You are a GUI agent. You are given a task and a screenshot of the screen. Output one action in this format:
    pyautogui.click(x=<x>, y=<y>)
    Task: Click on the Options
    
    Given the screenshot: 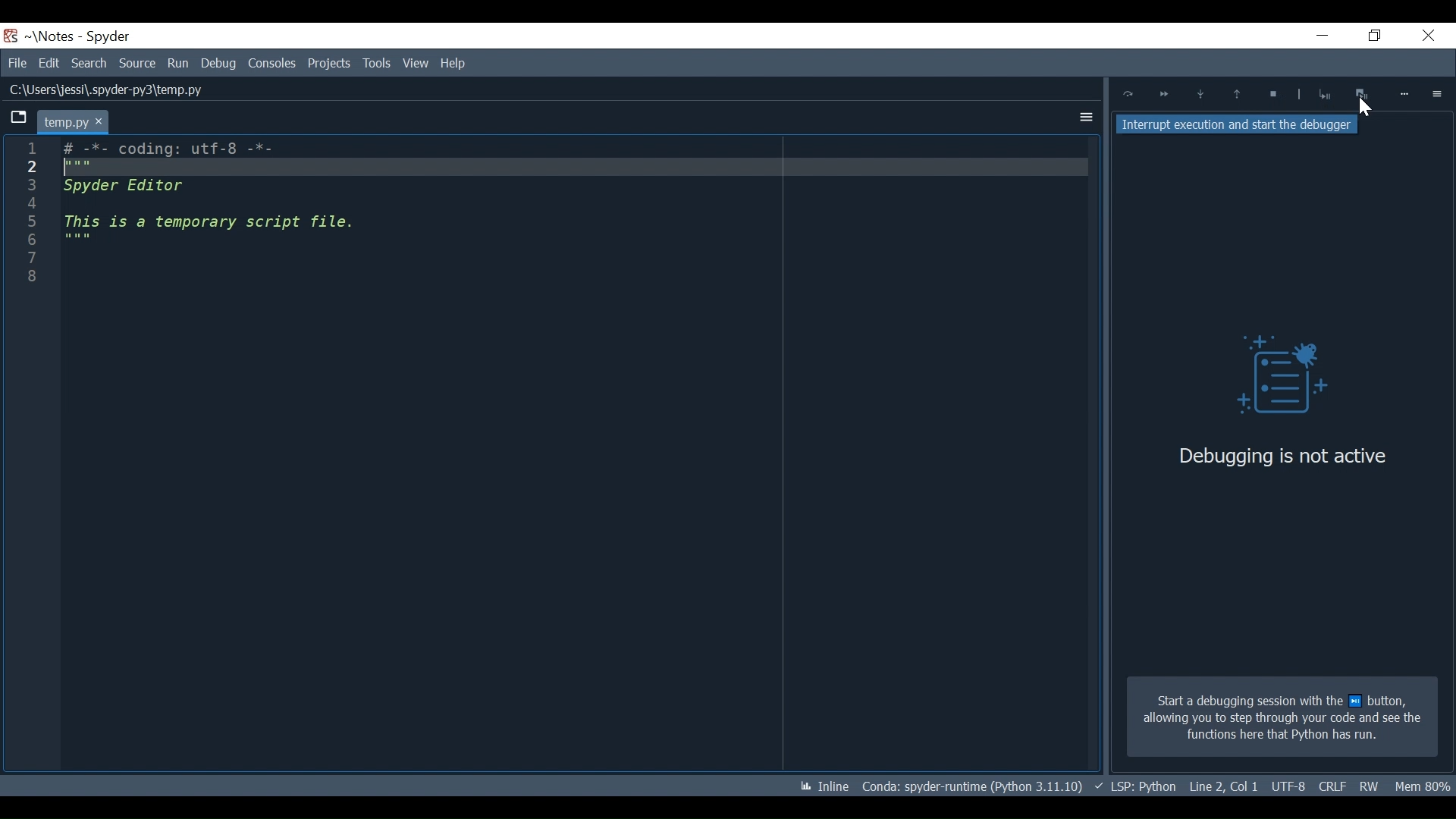 What is the action you would take?
    pyautogui.click(x=1438, y=93)
    